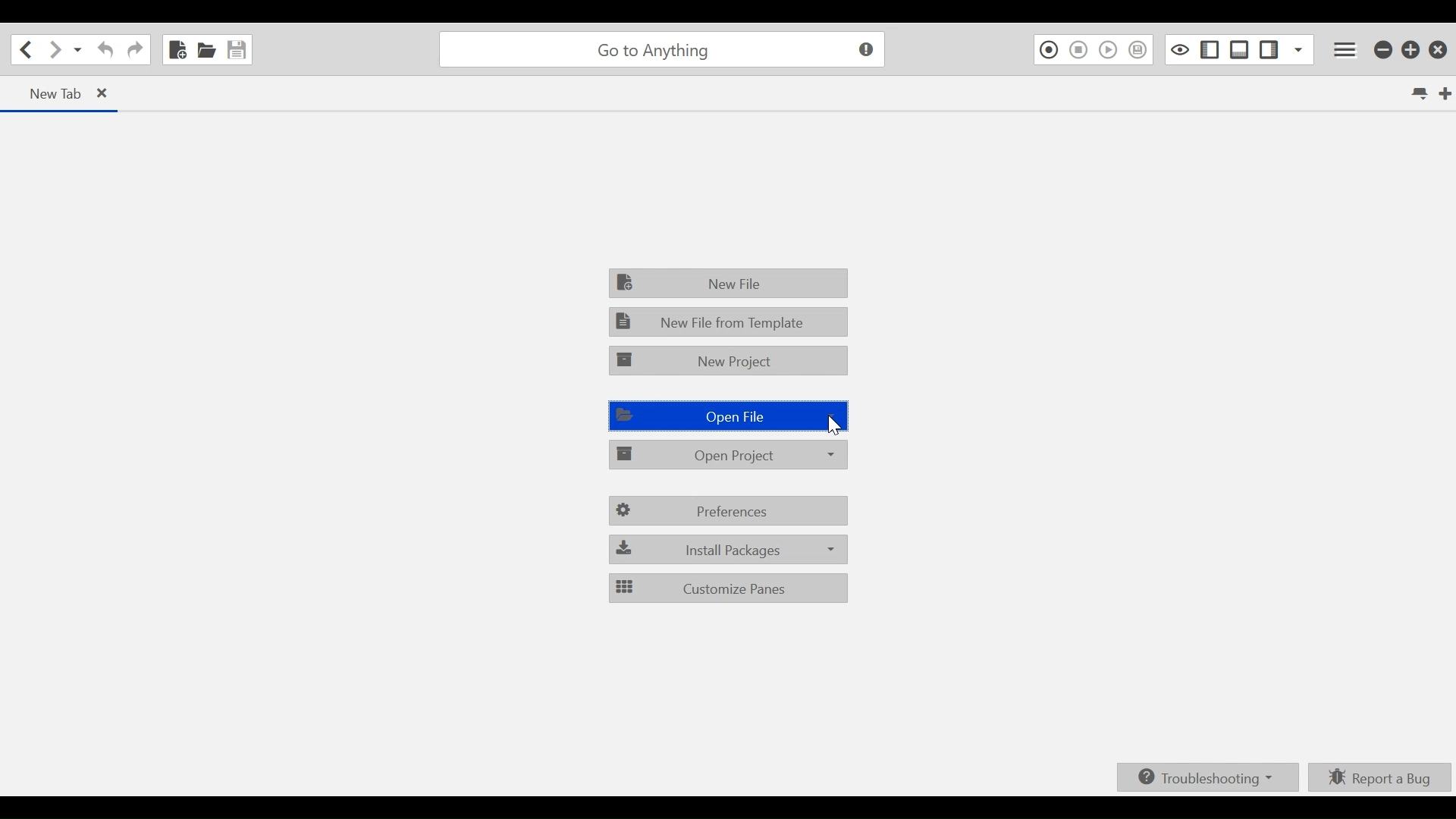 This screenshot has height=819, width=1456. Describe the element at coordinates (1299, 49) in the screenshot. I see `Show Specific Sidebar` at that location.